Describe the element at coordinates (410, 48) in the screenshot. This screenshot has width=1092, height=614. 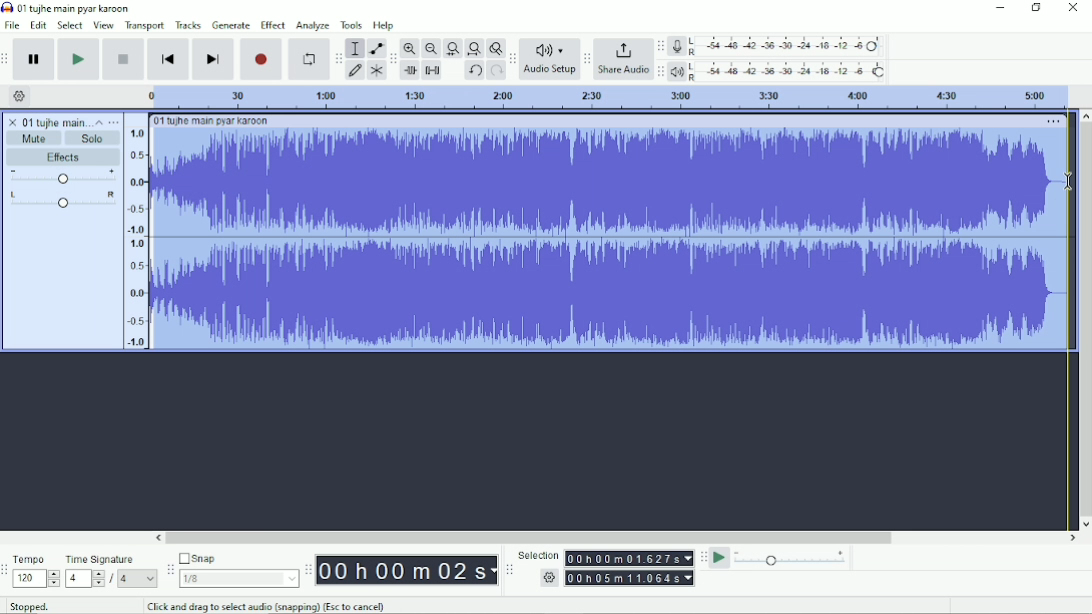
I see `Zoom In` at that location.